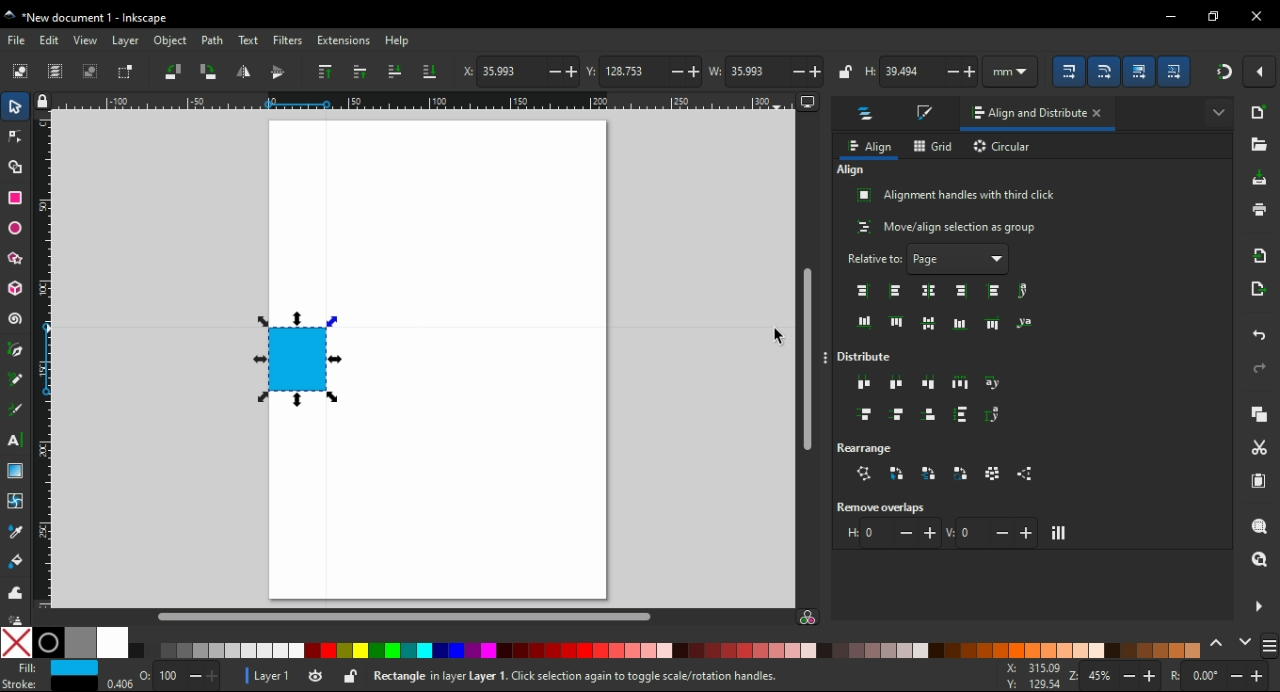 This screenshot has height=692, width=1280. Describe the element at coordinates (1261, 287) in the screenshot. I see `open export` at that location.